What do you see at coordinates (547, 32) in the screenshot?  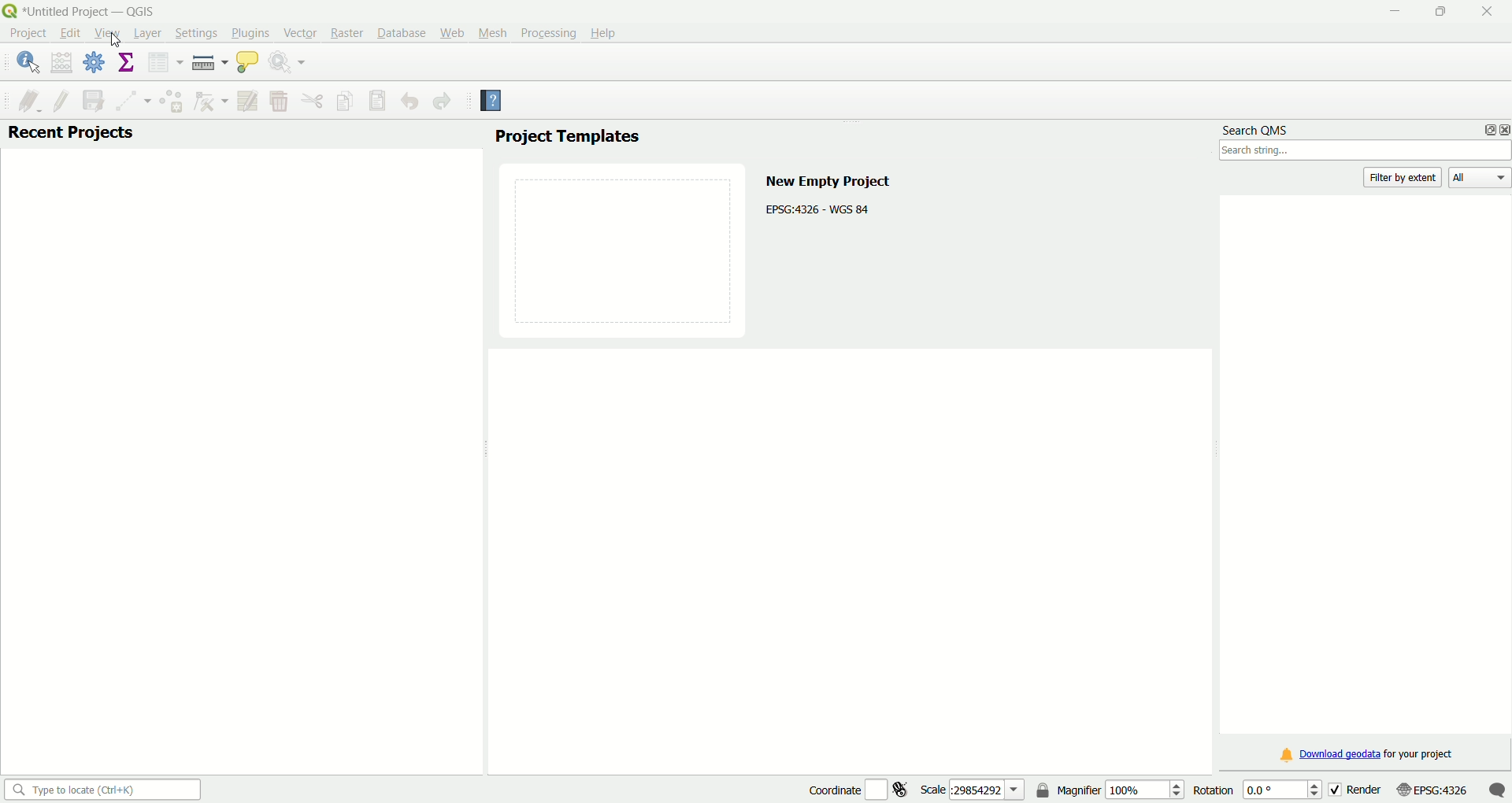 I see `Processing` at bounding box center [547, 32].